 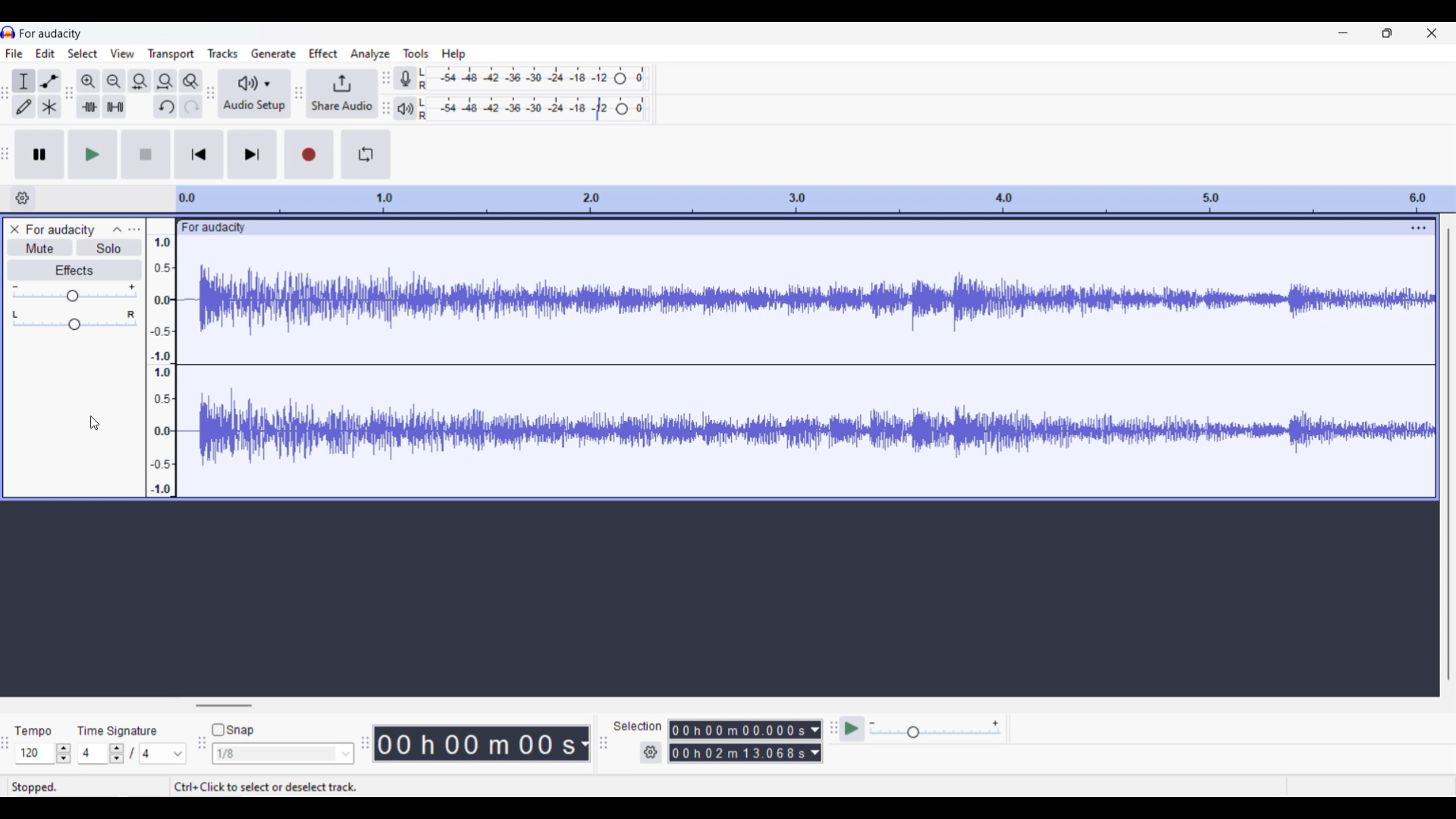 I want to click on 00h00m00.000s, so click(x=736, y=730).